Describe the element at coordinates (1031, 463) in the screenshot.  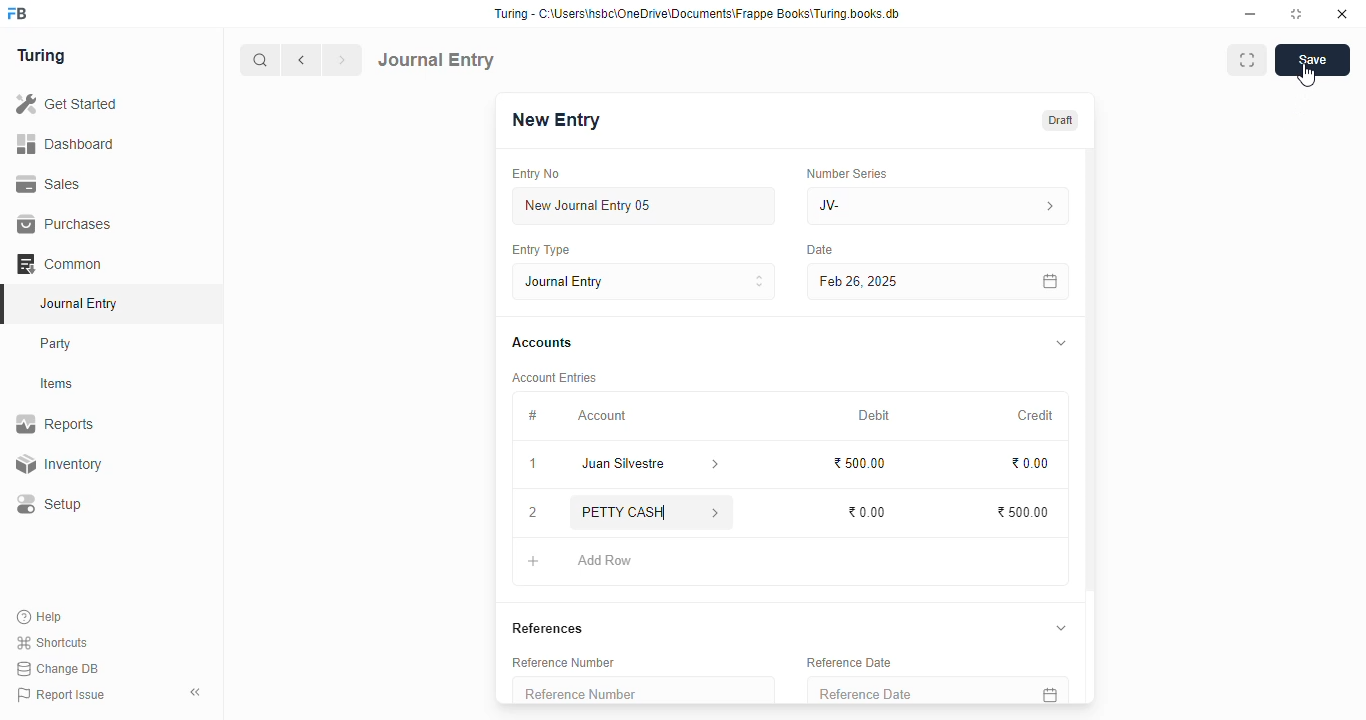
I see `₹0.00` at that location.